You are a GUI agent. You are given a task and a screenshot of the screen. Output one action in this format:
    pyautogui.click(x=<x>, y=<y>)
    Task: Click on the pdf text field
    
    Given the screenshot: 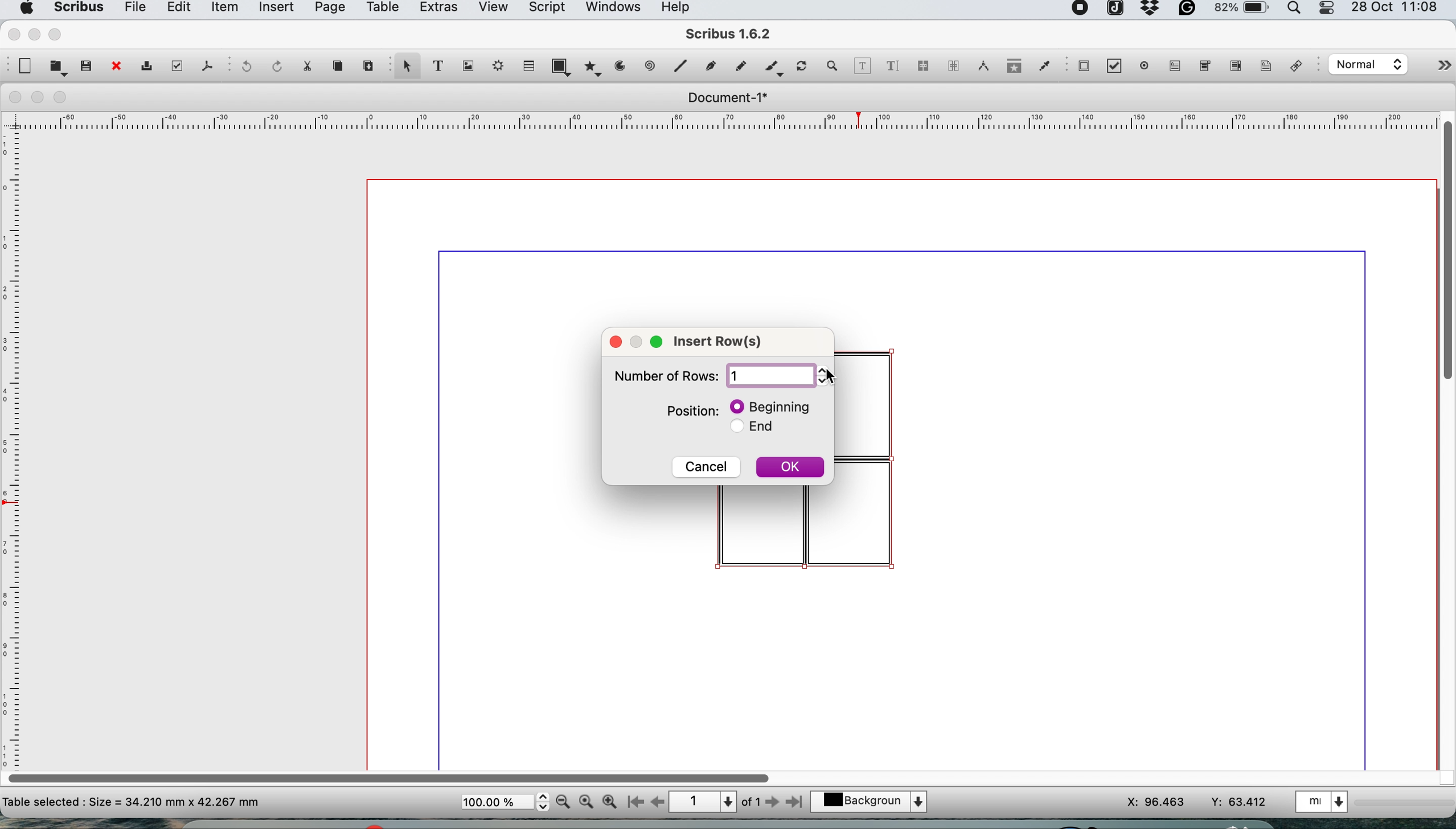 What is the action you would take?
    pyautogui.click(x=1172, y=66)
    